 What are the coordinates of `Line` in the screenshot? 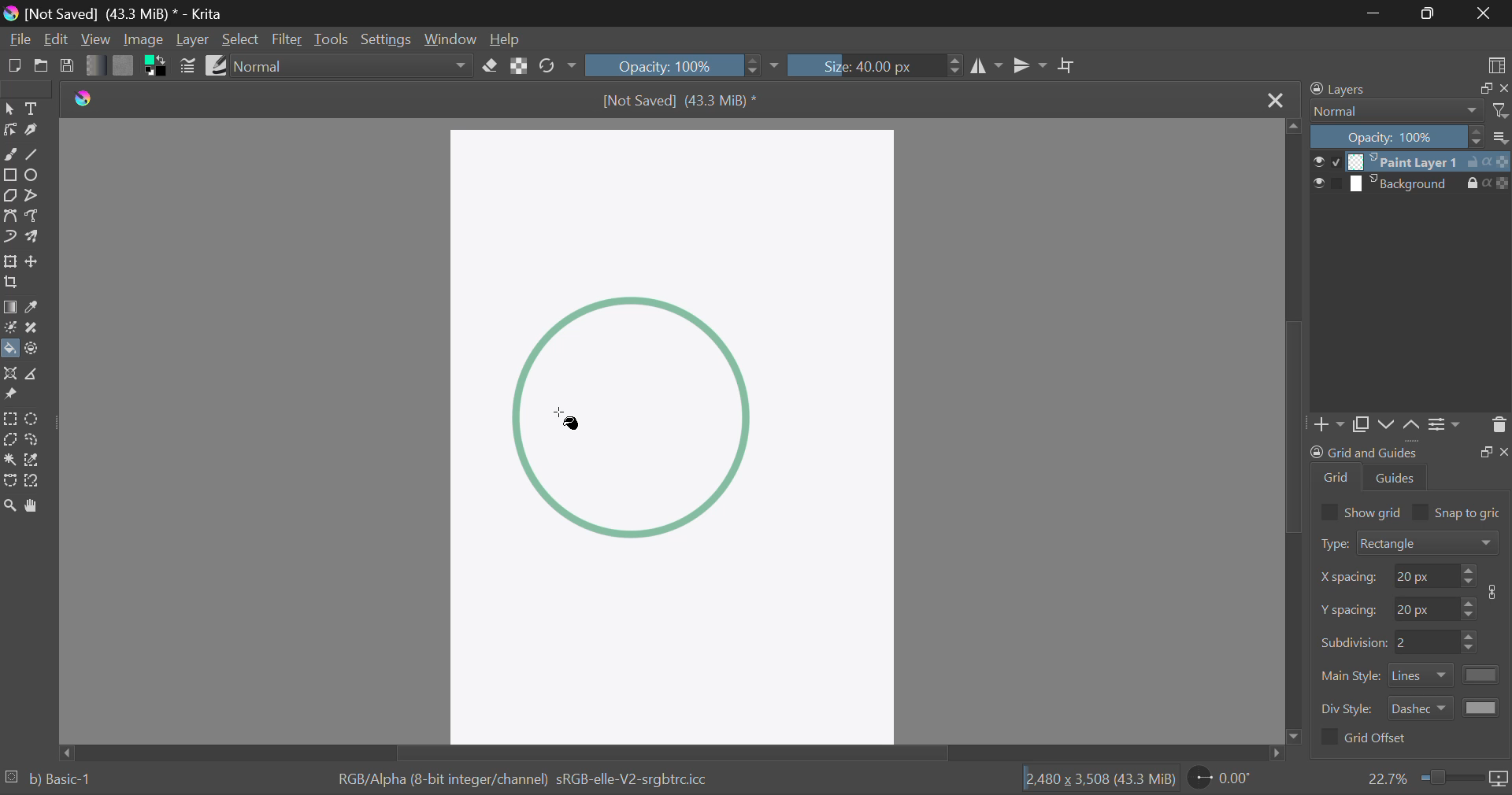 It's located at (32, 152).